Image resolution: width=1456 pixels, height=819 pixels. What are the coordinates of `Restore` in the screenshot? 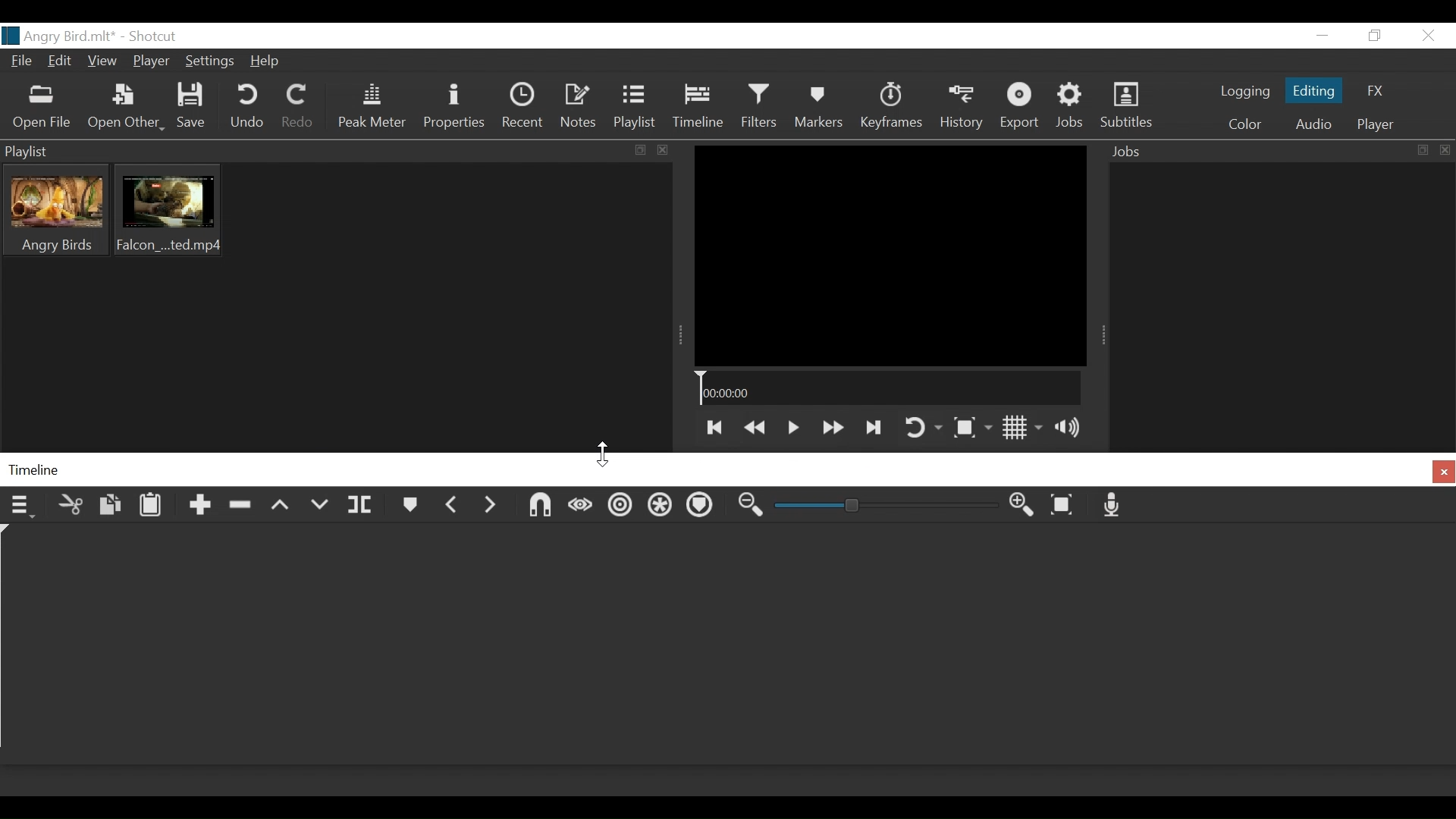 It's located at (1373, 36).